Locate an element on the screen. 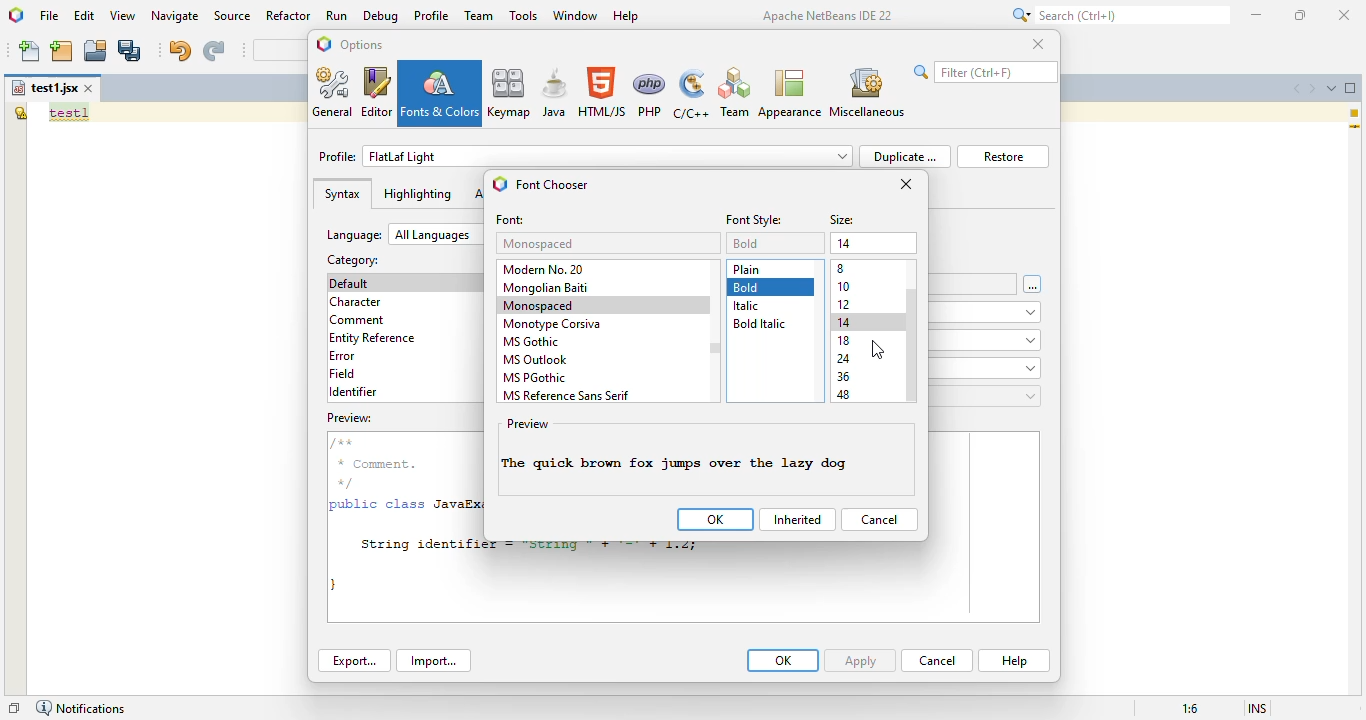 This screenshot has width=1366, height=720. comment is located at coordinates (359, 320).